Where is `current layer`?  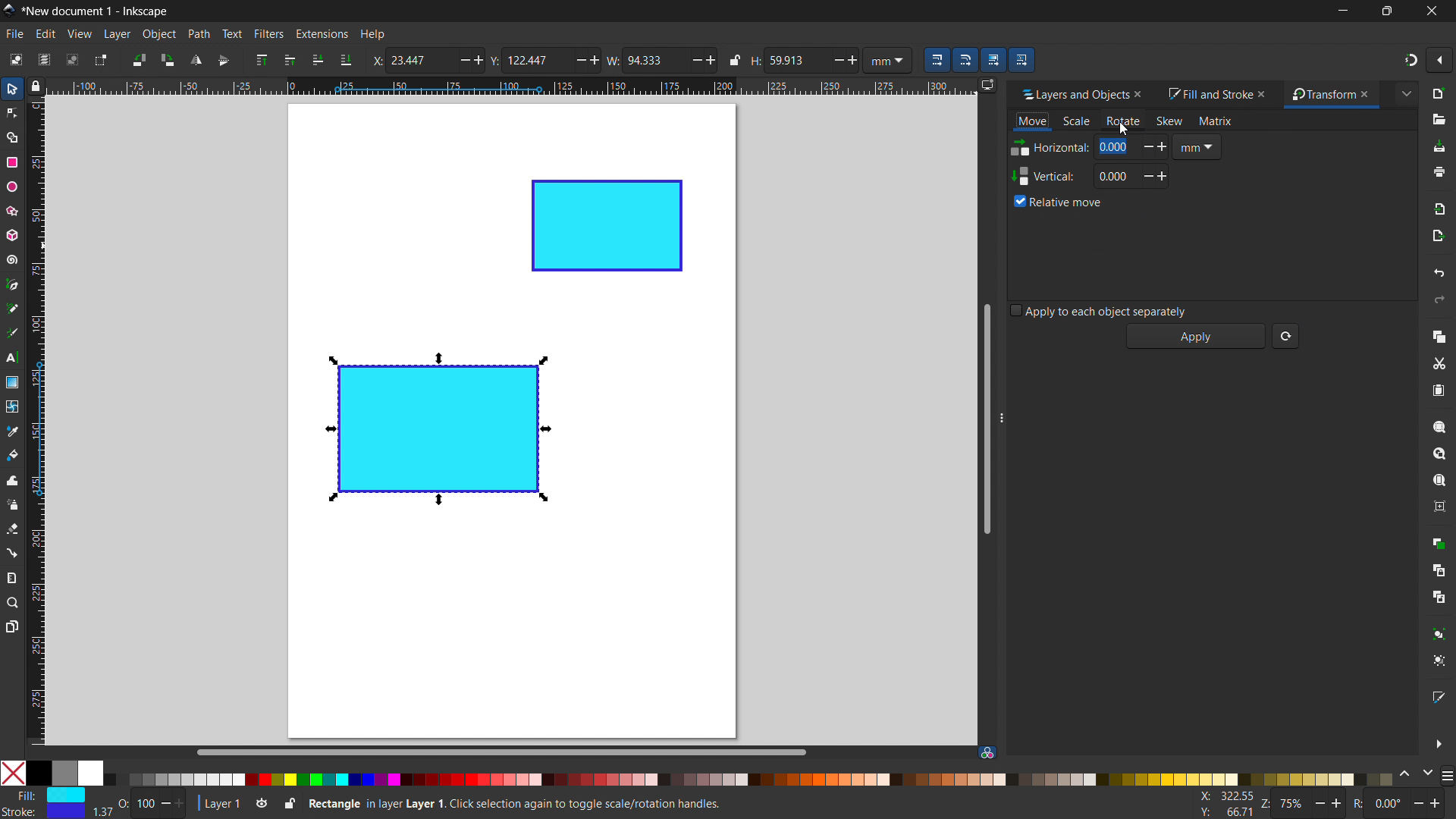
current layer is located at coordinates (218, 804).